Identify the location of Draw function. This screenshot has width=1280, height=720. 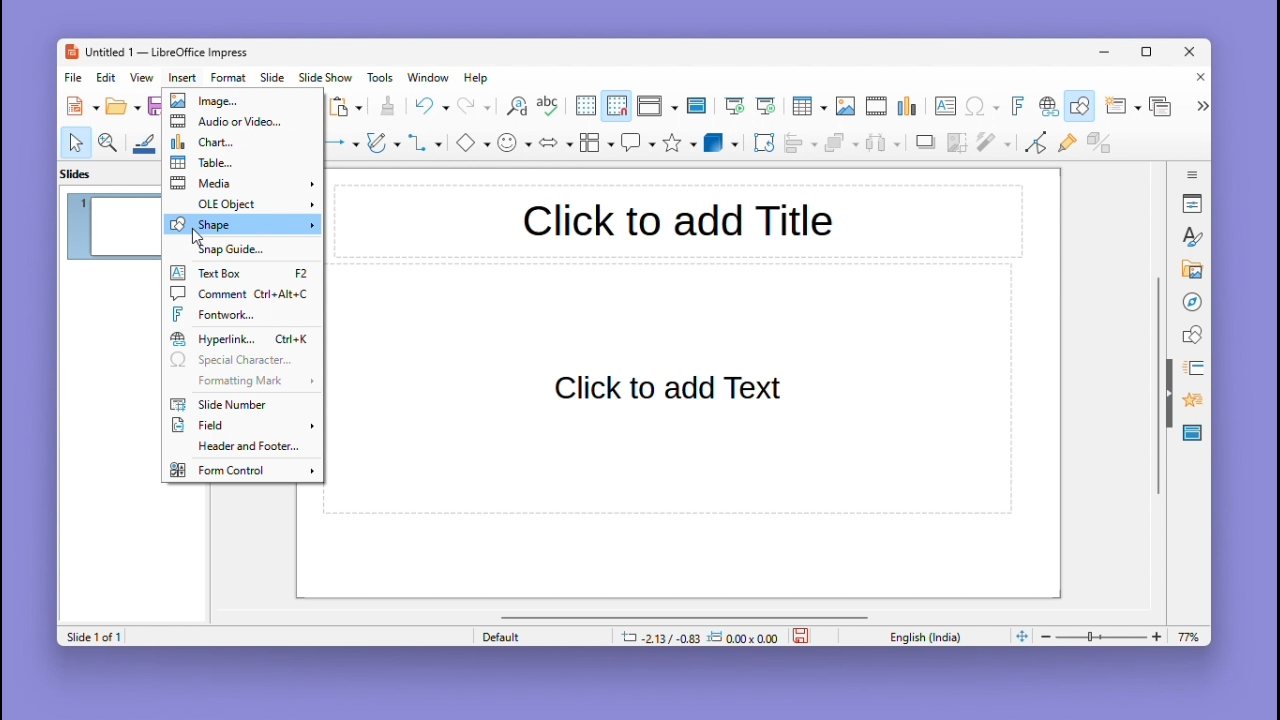
(1082, 106).